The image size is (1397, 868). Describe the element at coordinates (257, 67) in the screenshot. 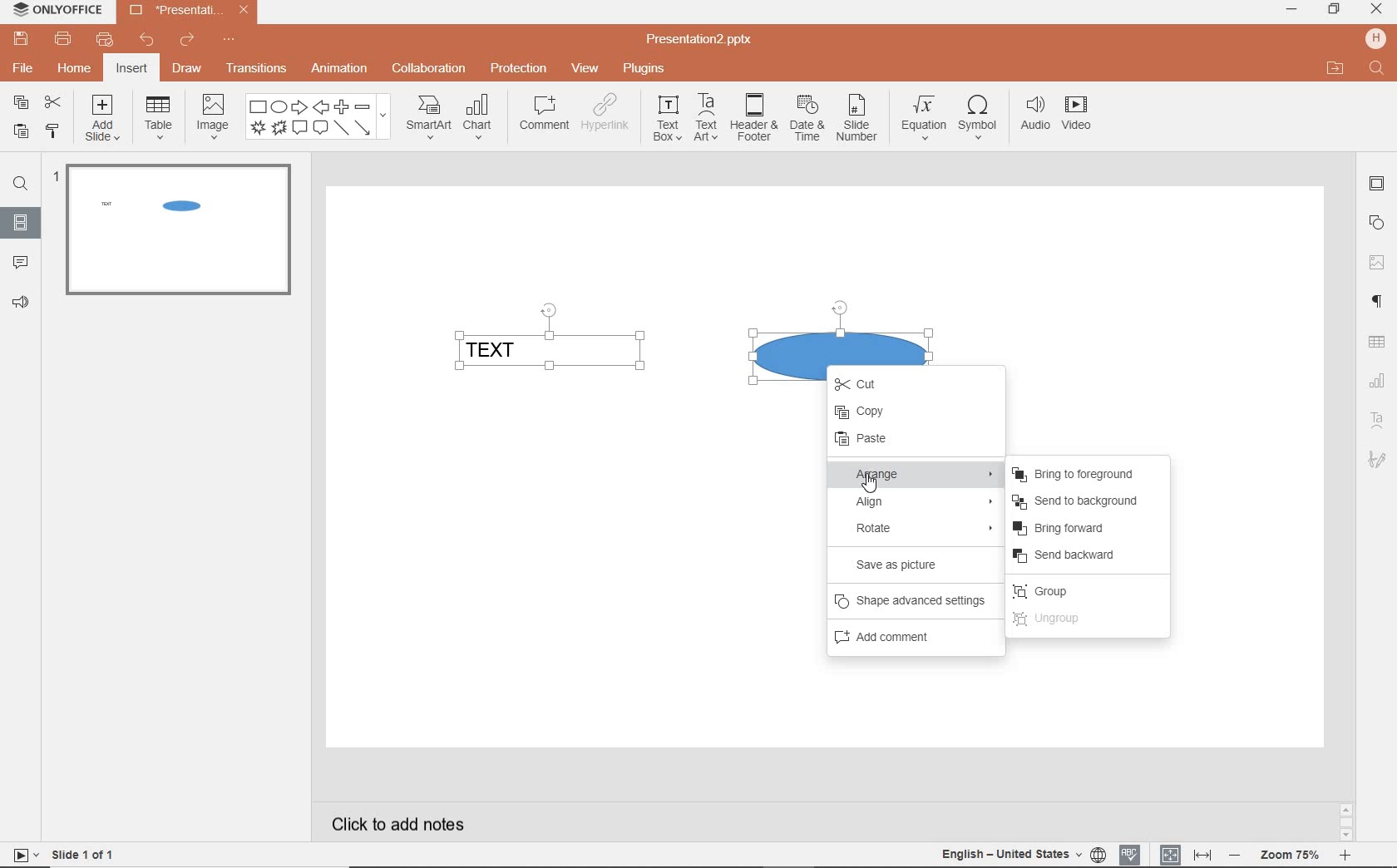

I see `transitions` at that location.